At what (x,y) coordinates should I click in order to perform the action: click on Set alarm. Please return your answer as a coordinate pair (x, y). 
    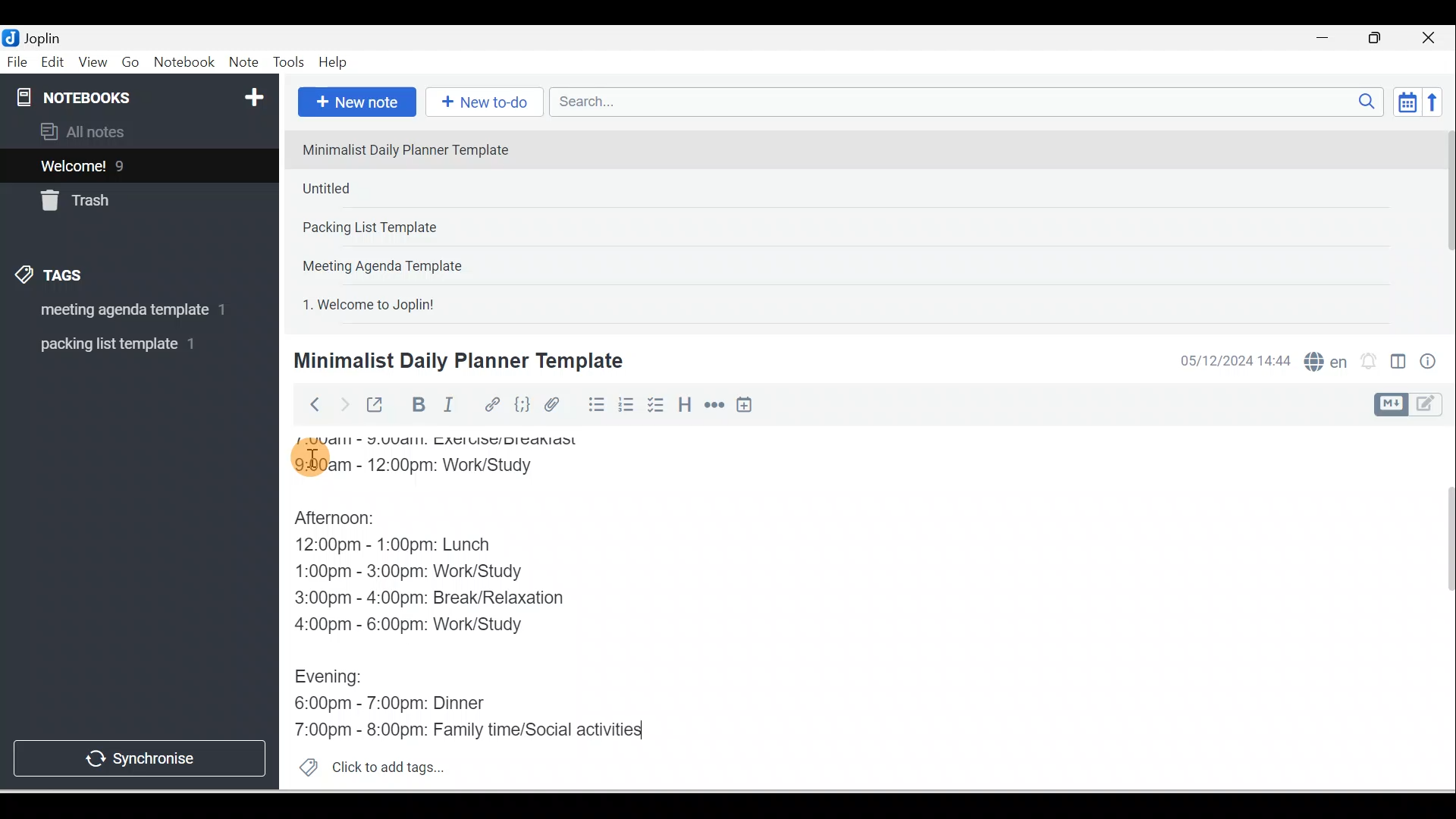
    Looking at the image, I should click on (1367, 362).